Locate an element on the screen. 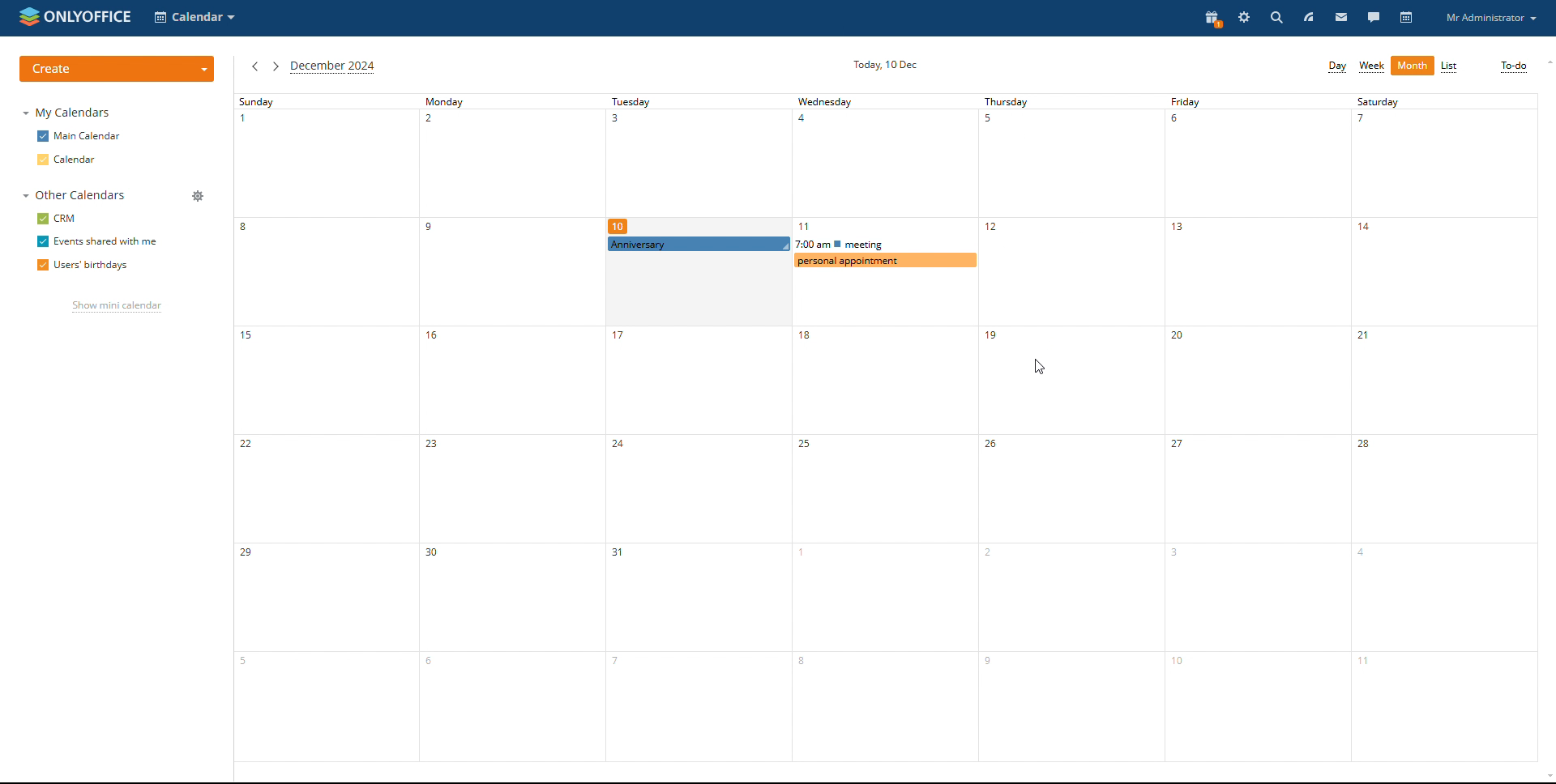  calendar is located at coordinates (1406, 19).